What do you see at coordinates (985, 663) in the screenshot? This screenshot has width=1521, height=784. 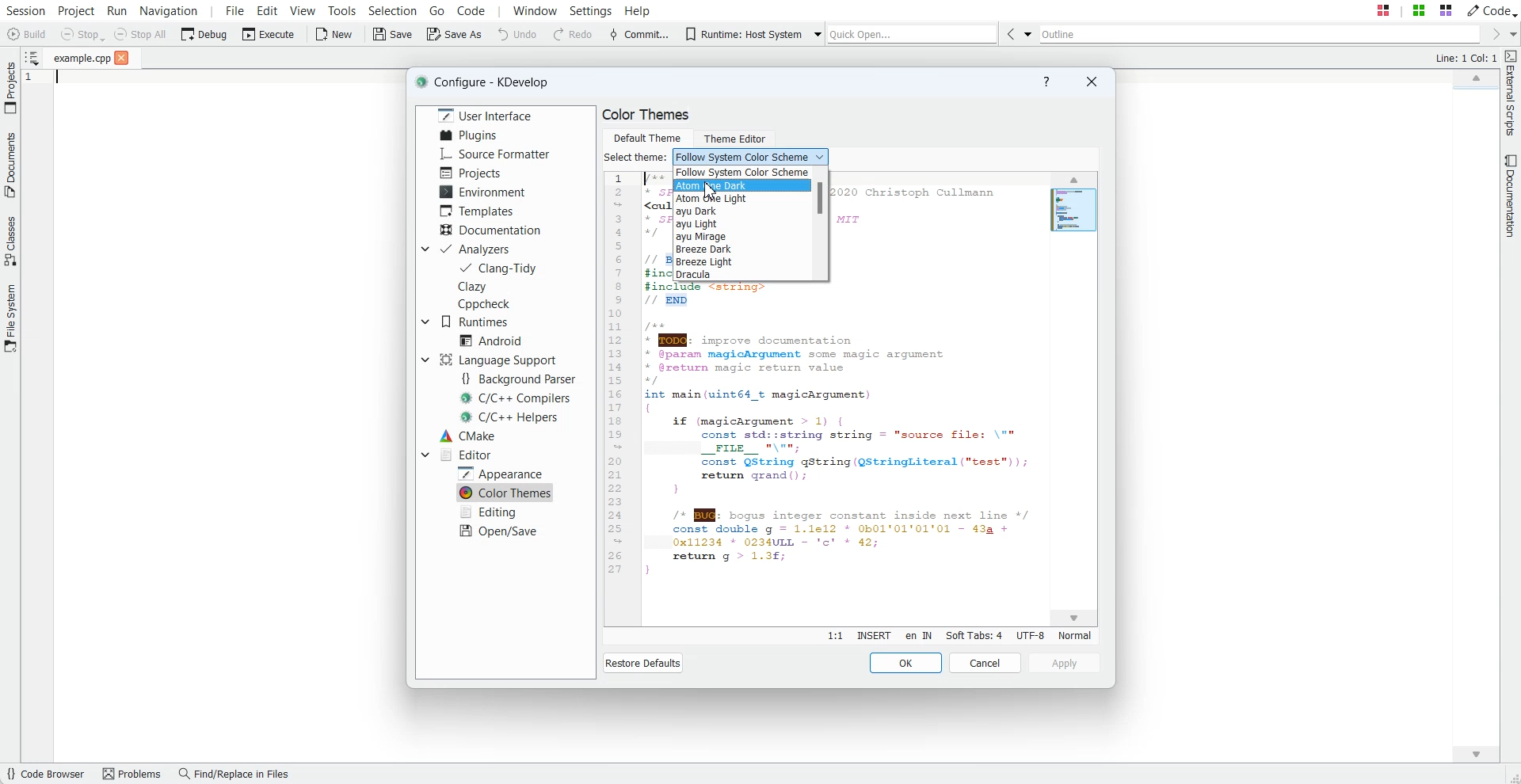 I see `Cancel` at bounding box center [985, 663].